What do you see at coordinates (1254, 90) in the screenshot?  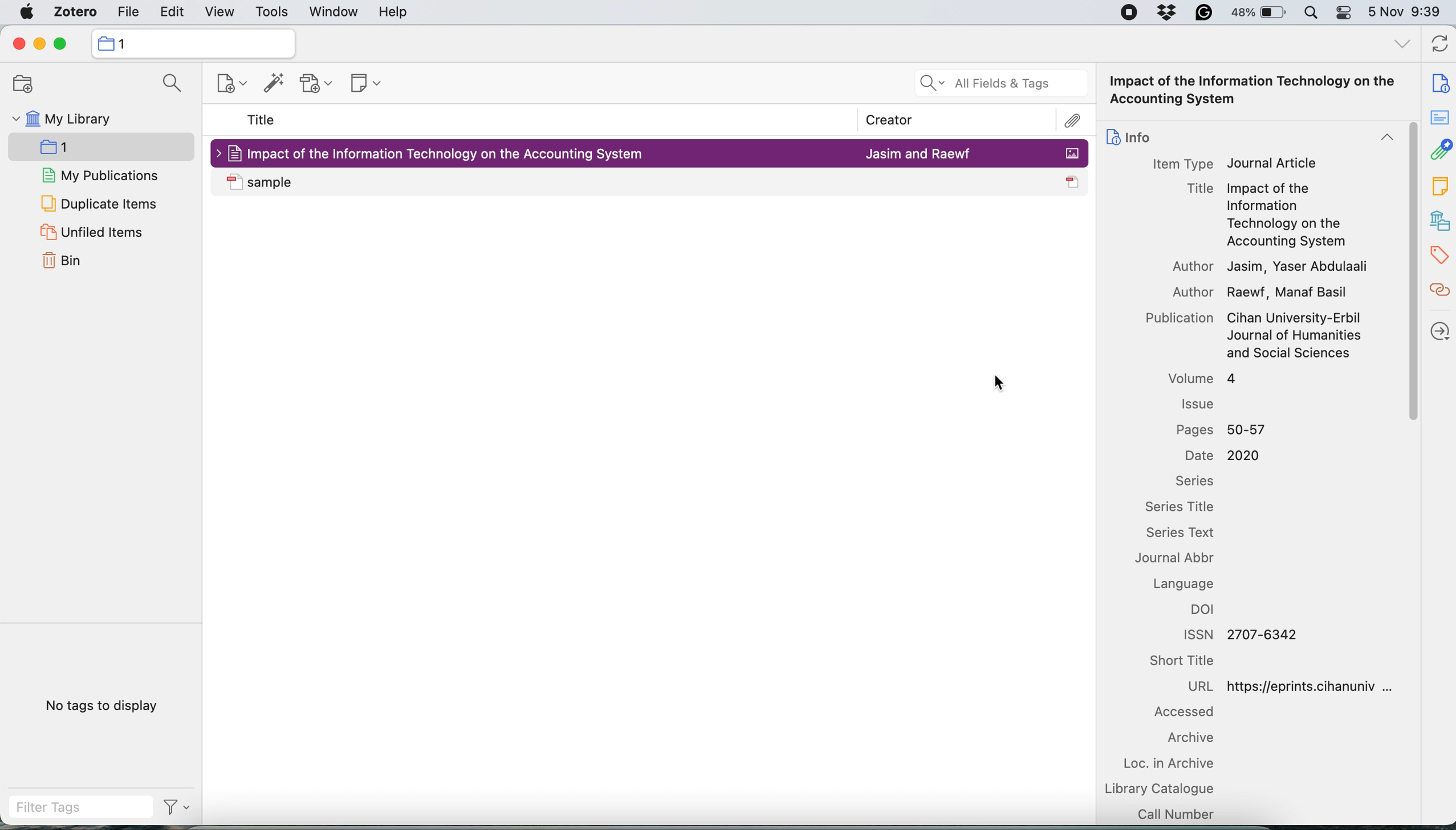 I see `Impact of the Information Technology on the Accounting System` at bounding box center [1254, 90].